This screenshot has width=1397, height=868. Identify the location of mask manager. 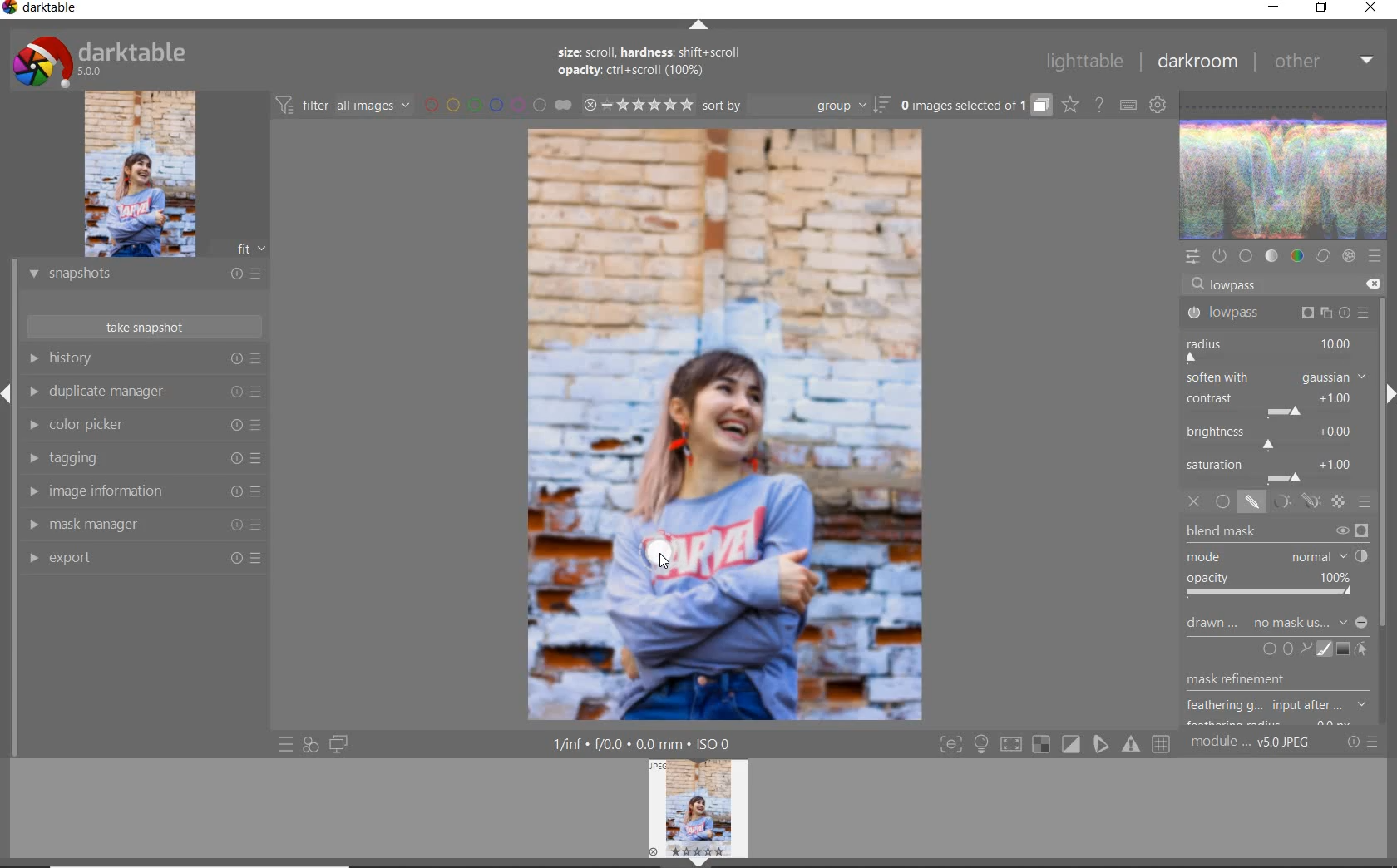
(143, 526).